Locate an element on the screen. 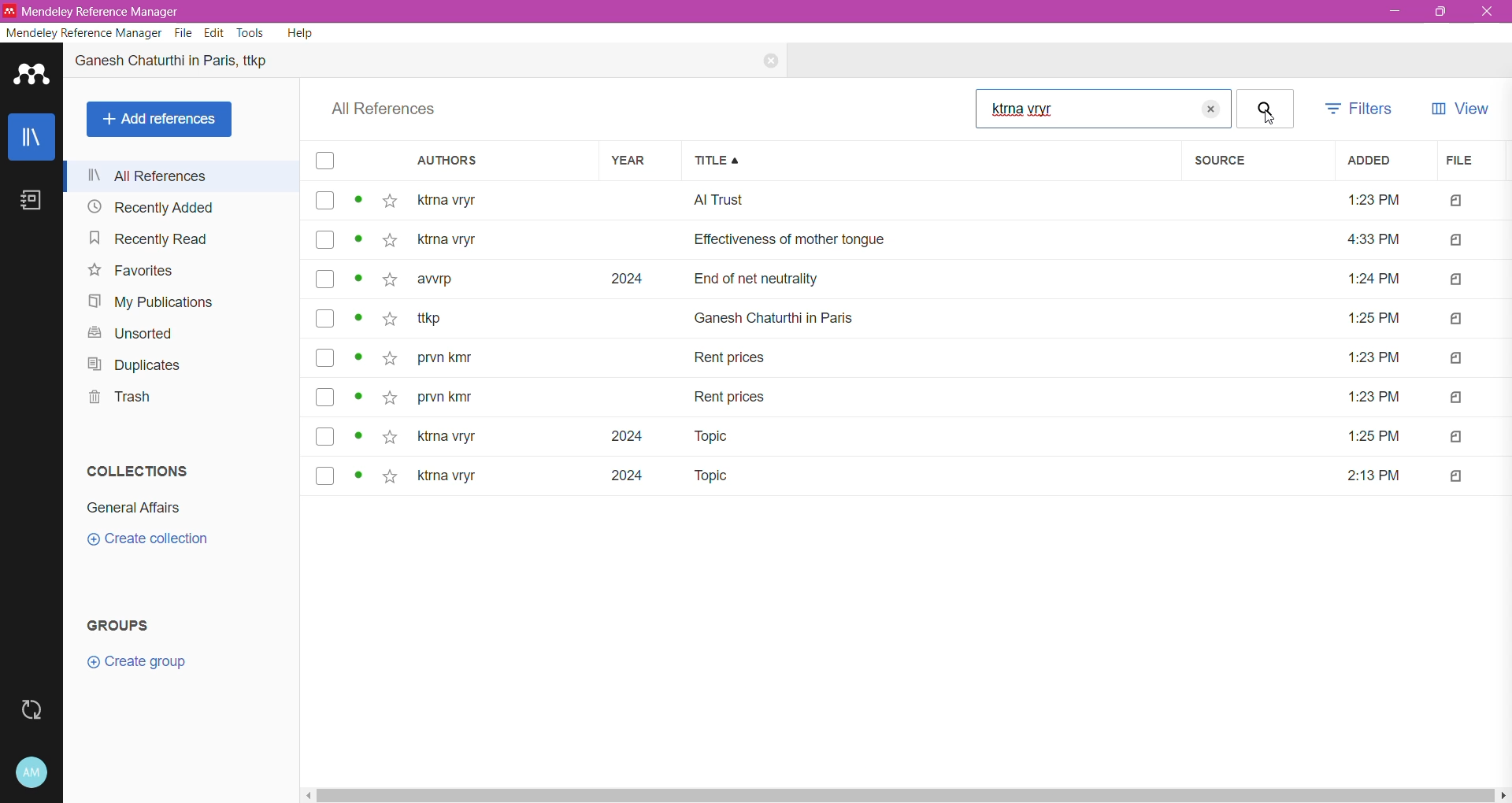 This screenshot has height=803, width=1512. add to favorites is located at coordinates (391, 201).